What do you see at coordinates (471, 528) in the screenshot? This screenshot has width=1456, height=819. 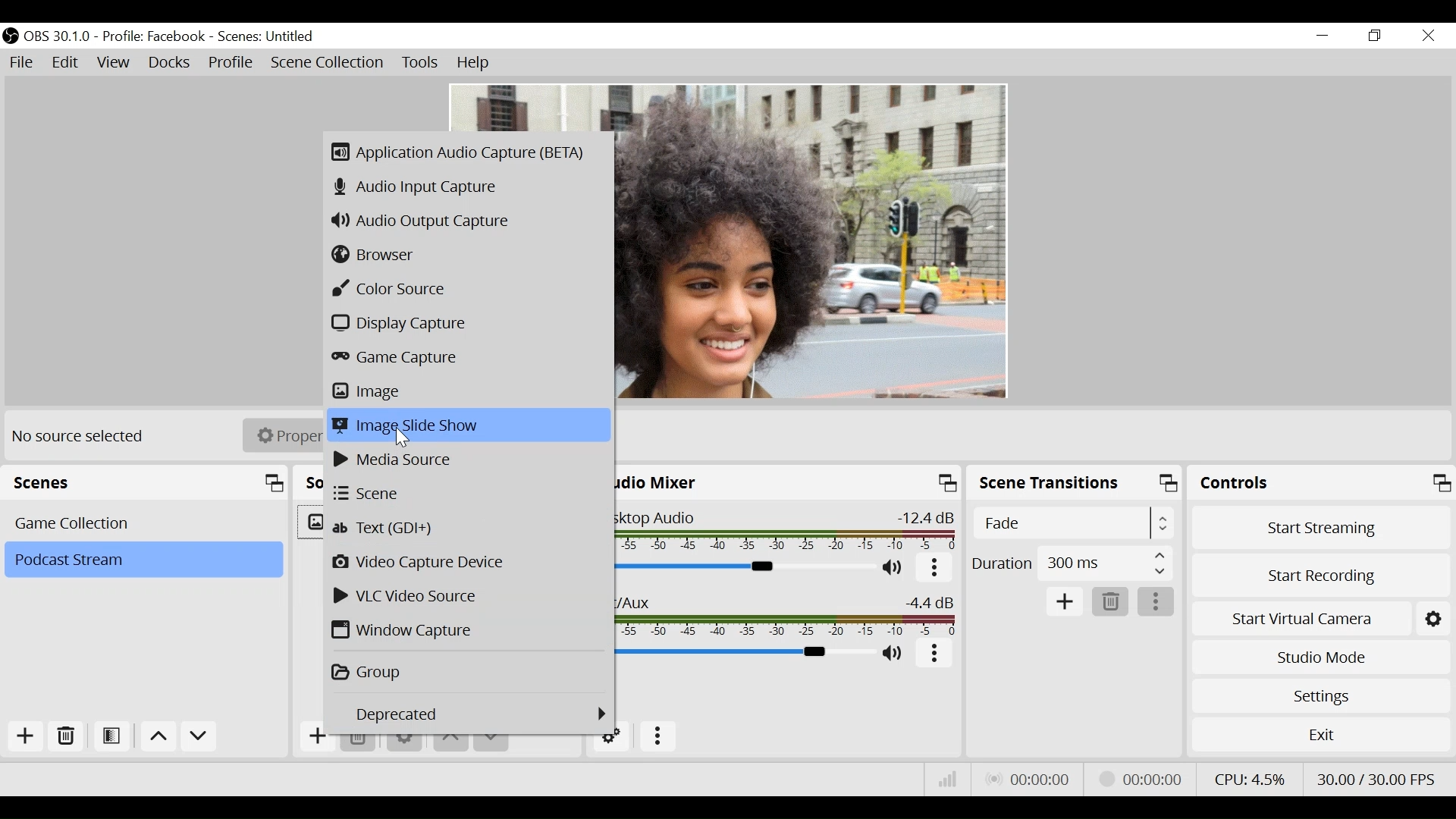 I see `Text (GDI+)` at bounding box center [471, 528].